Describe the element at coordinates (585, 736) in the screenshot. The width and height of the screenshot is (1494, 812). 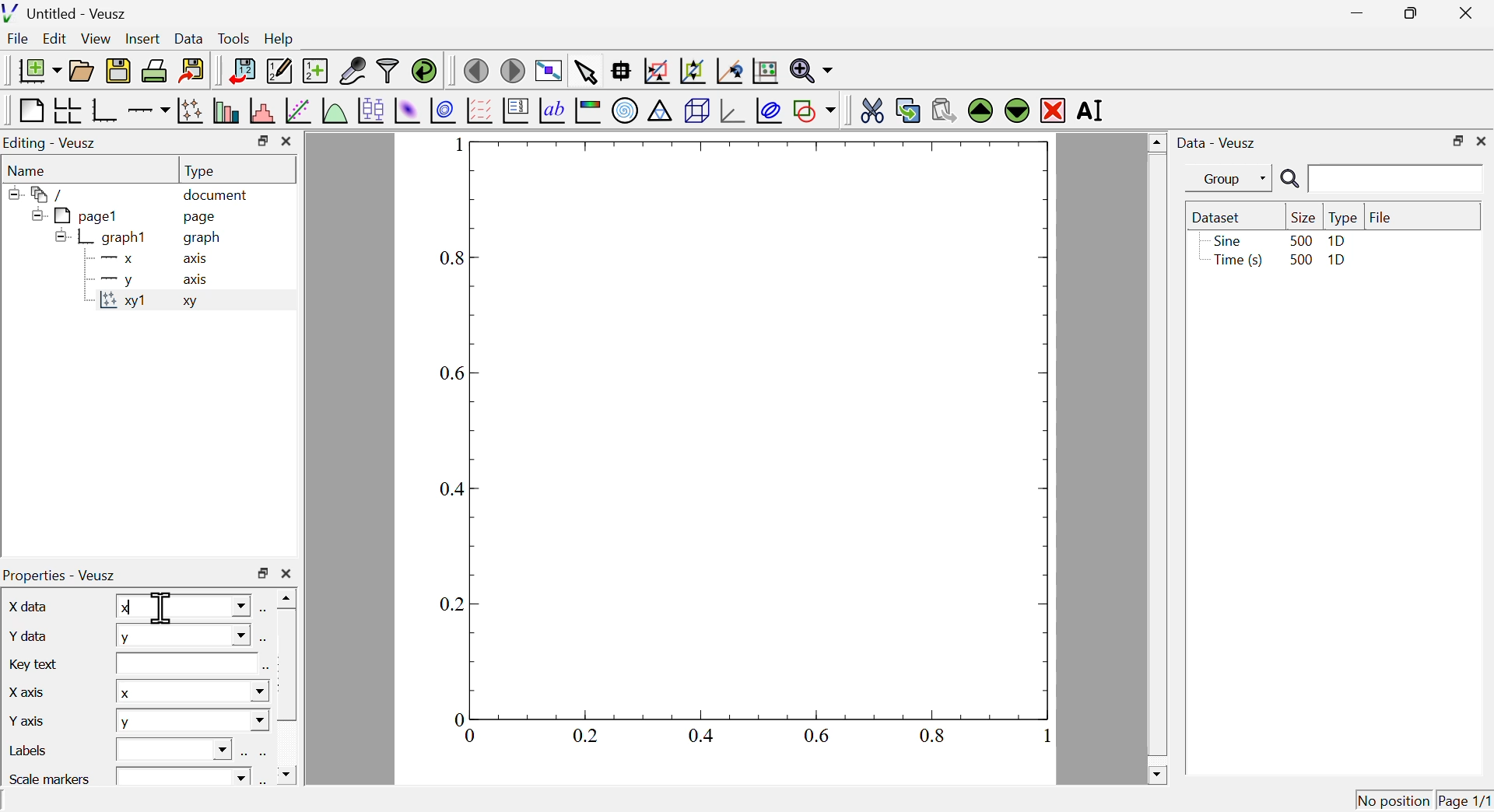
I see `0.2` at that location.